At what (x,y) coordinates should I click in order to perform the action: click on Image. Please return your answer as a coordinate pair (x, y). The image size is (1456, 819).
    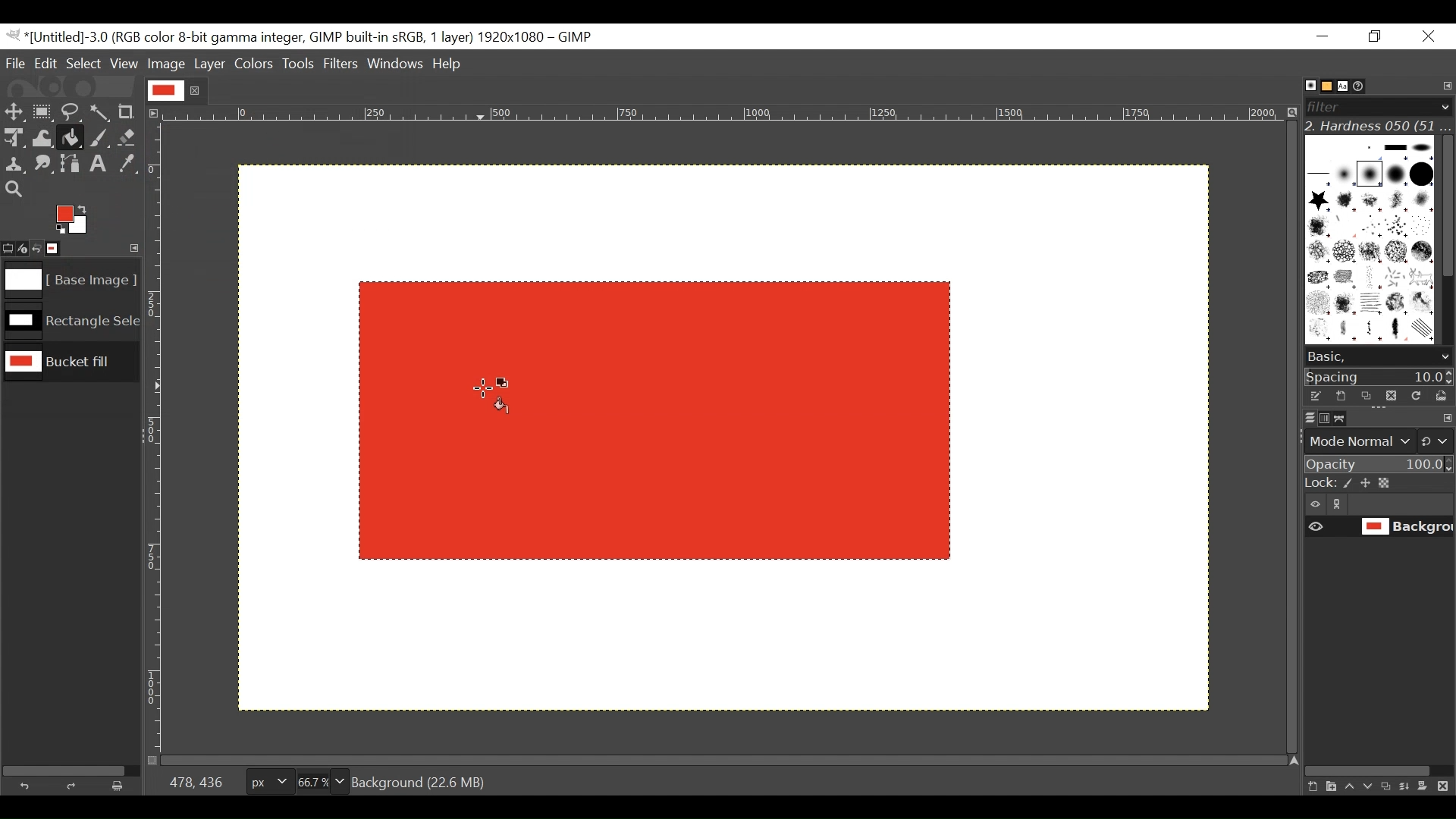
    Looking at the image, I should click on (65, 280).